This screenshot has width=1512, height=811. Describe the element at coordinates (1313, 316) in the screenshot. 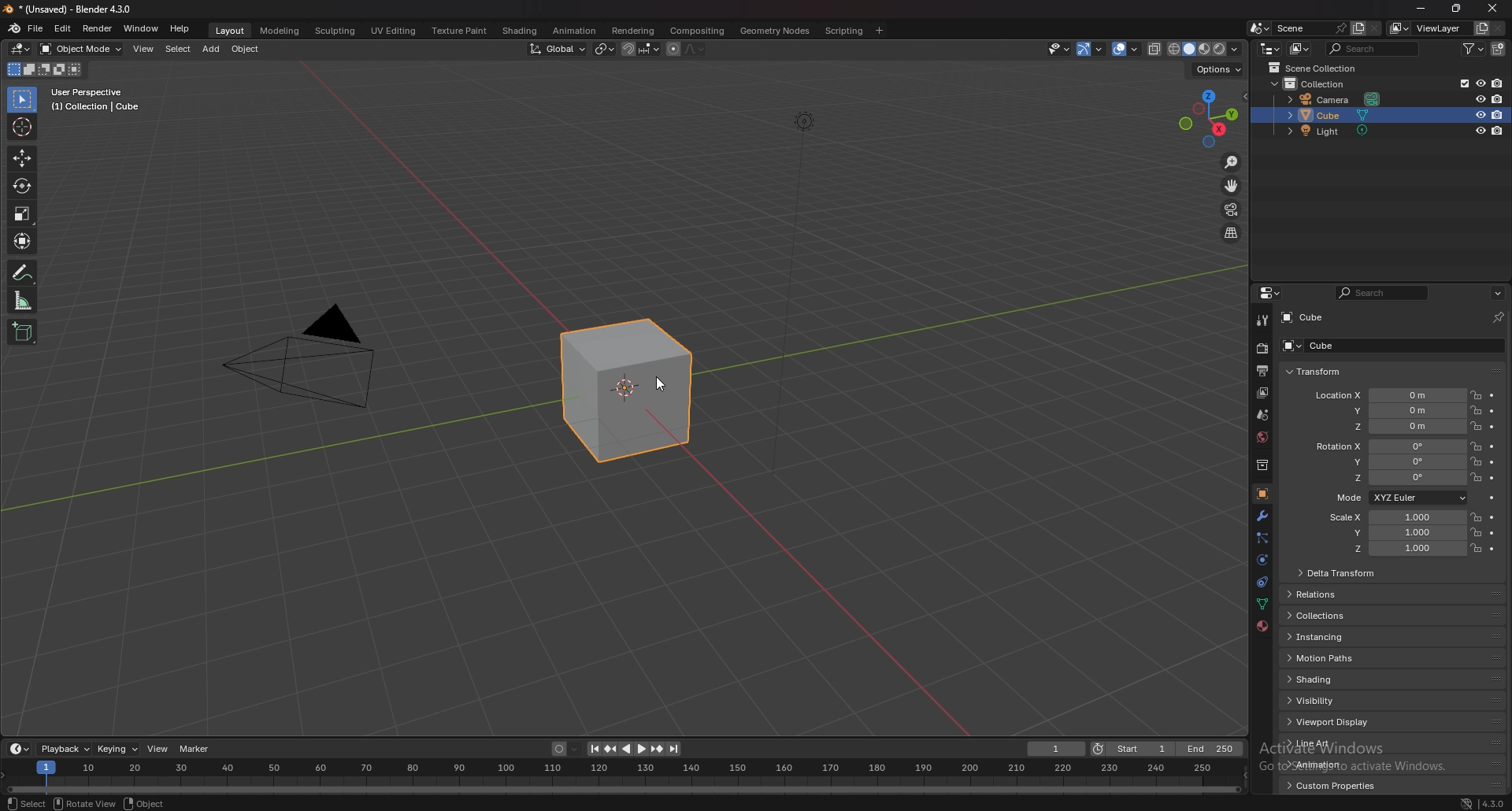

I see `cube` at that location.